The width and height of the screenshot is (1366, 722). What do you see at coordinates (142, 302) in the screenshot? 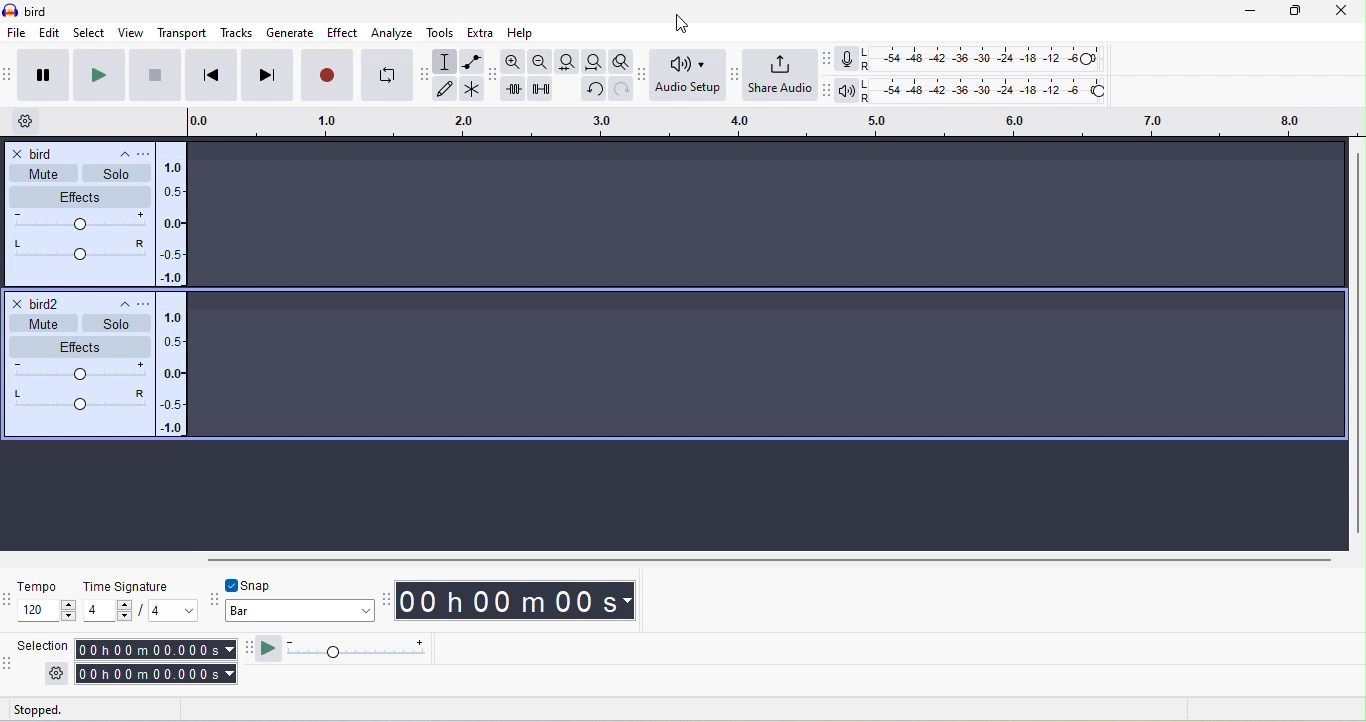
I see `open menu` at bounding box center [142, 302].